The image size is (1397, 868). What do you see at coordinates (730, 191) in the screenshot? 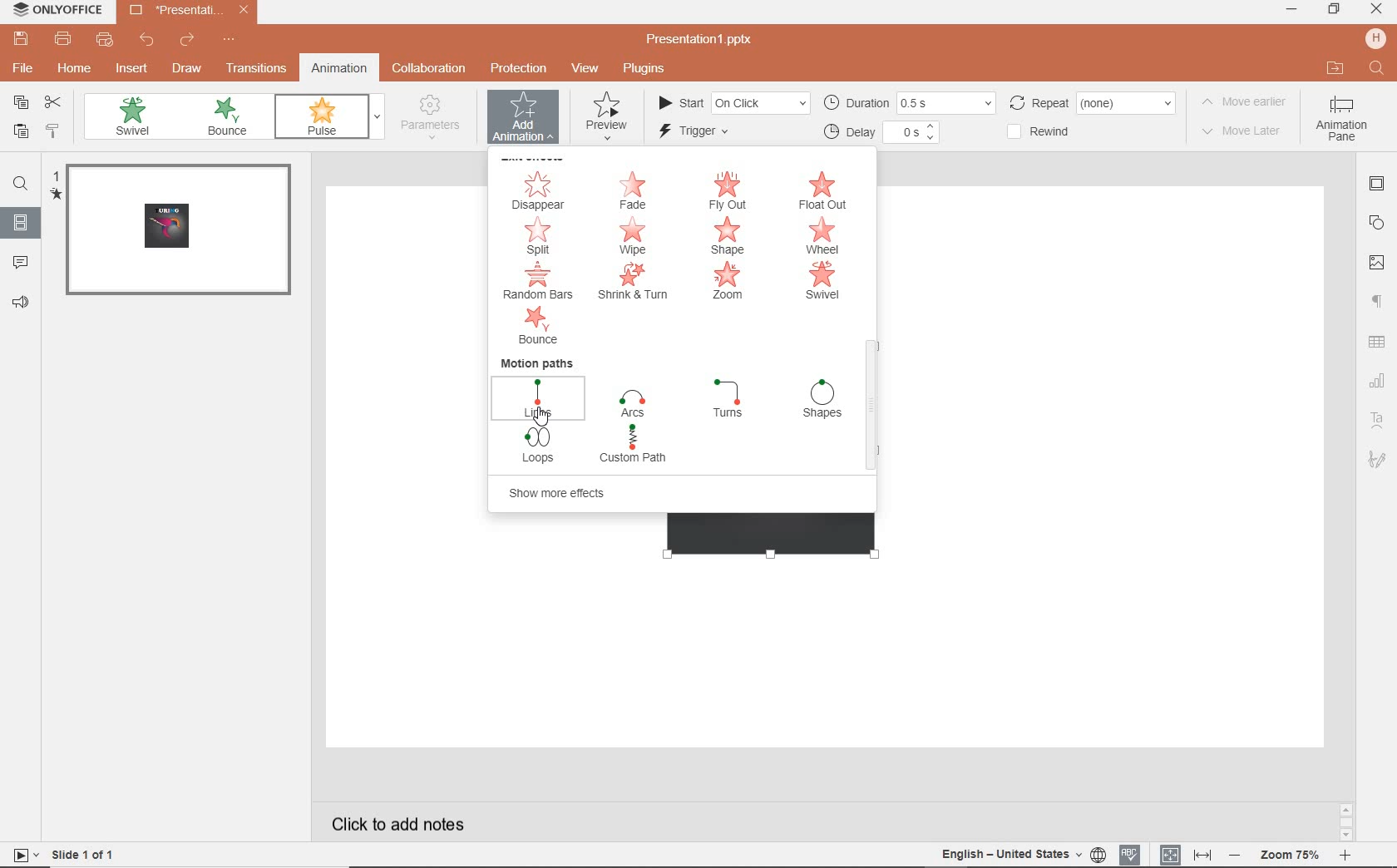
I see `fly out` at bounding box center [730, 191].